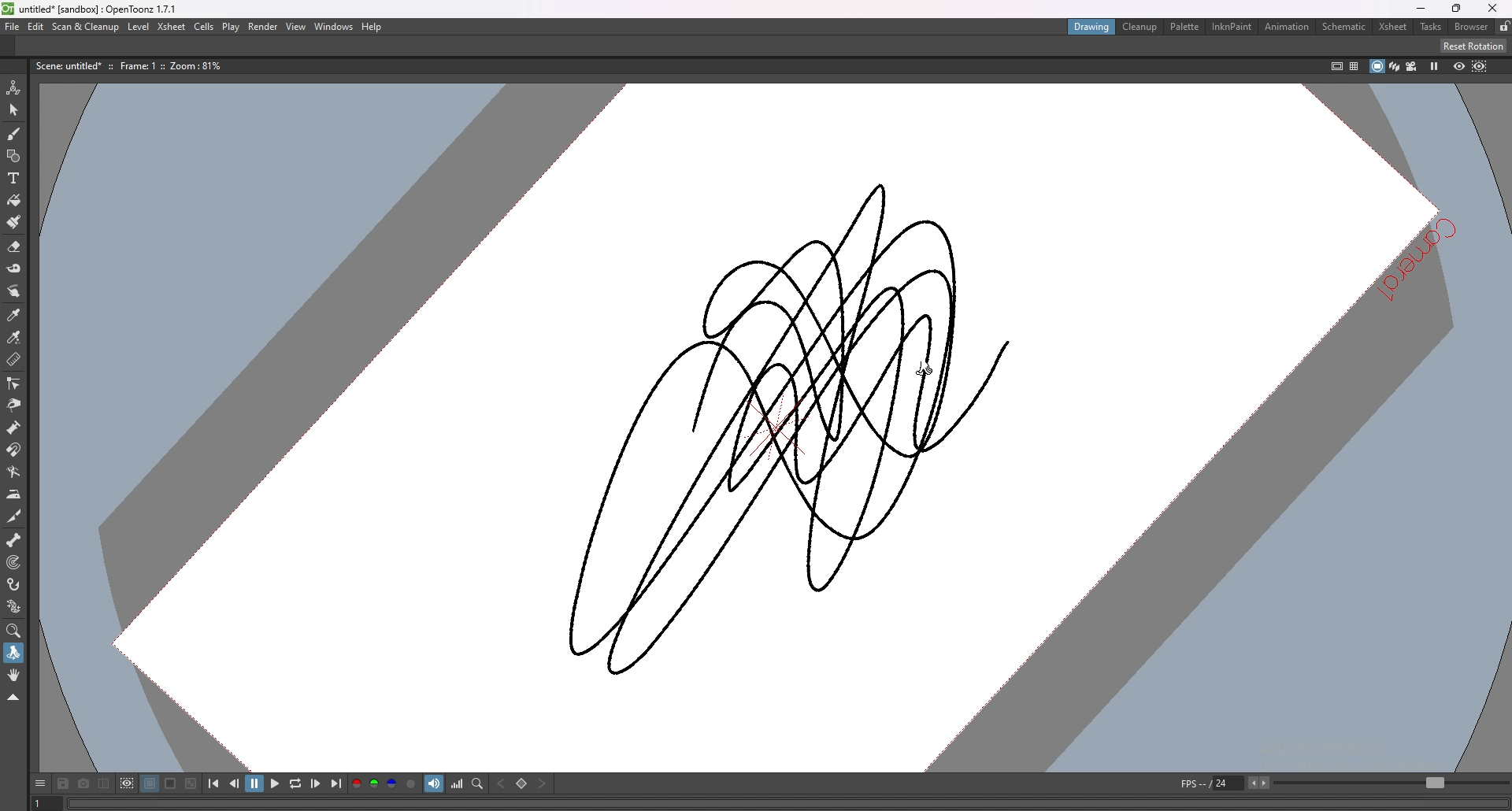 The image size is (1512, 811). Describe the element at coordinates (150, 784) in the screenshot. I see `black background` at that location.